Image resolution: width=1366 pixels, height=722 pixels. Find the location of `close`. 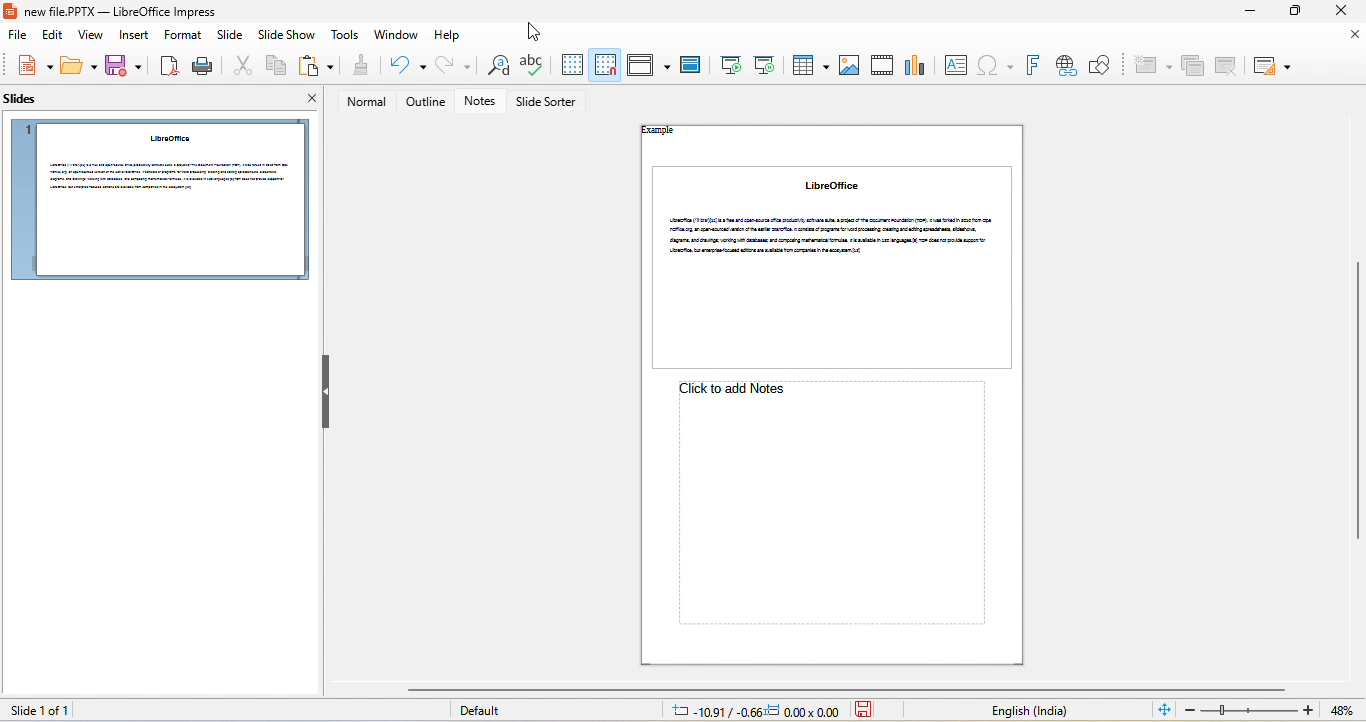

close is located at coordinates (1338, 11).